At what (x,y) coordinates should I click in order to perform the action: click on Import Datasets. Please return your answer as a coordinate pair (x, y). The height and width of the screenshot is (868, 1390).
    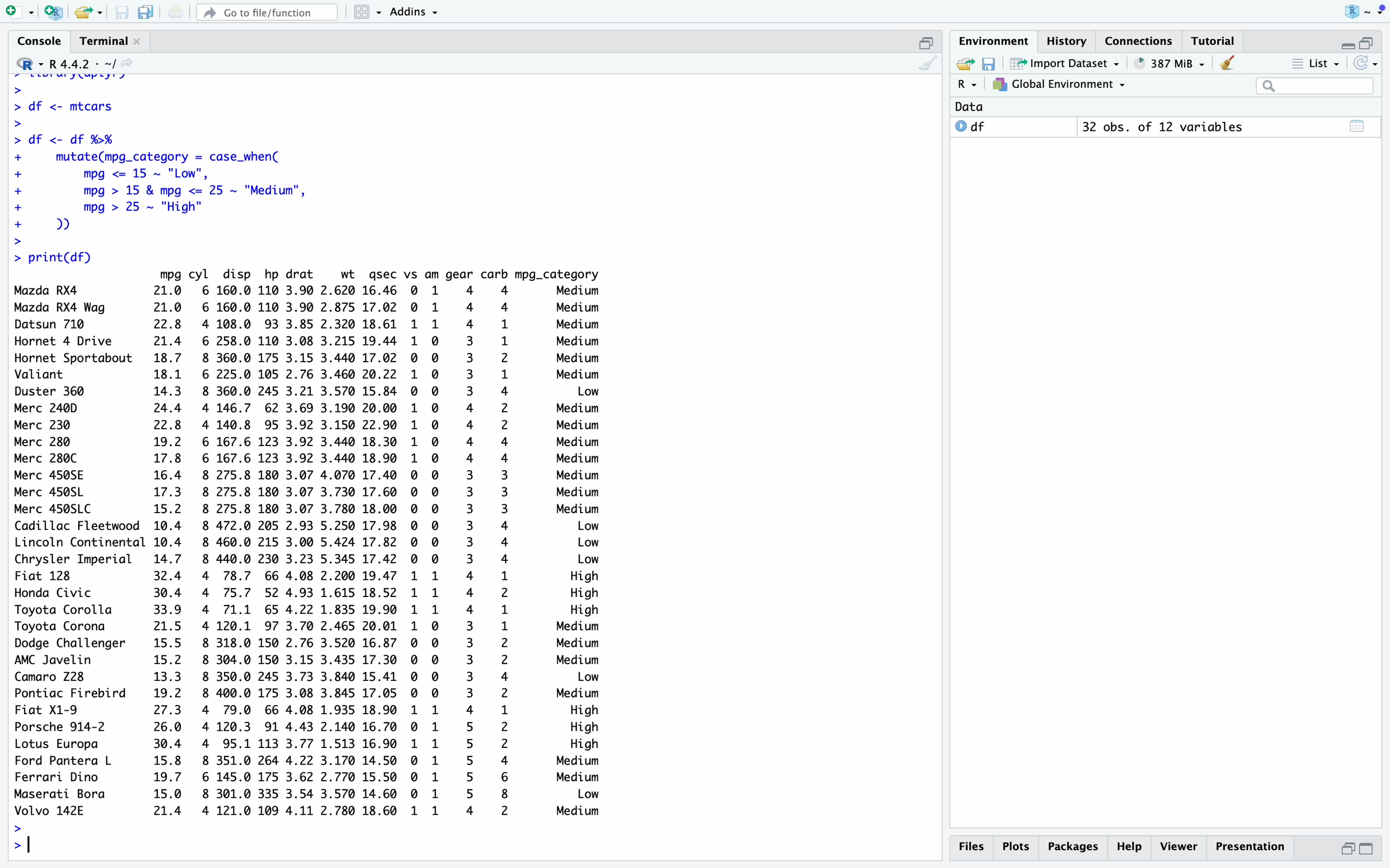
    Looking at the image, I should click on (1065, 63).